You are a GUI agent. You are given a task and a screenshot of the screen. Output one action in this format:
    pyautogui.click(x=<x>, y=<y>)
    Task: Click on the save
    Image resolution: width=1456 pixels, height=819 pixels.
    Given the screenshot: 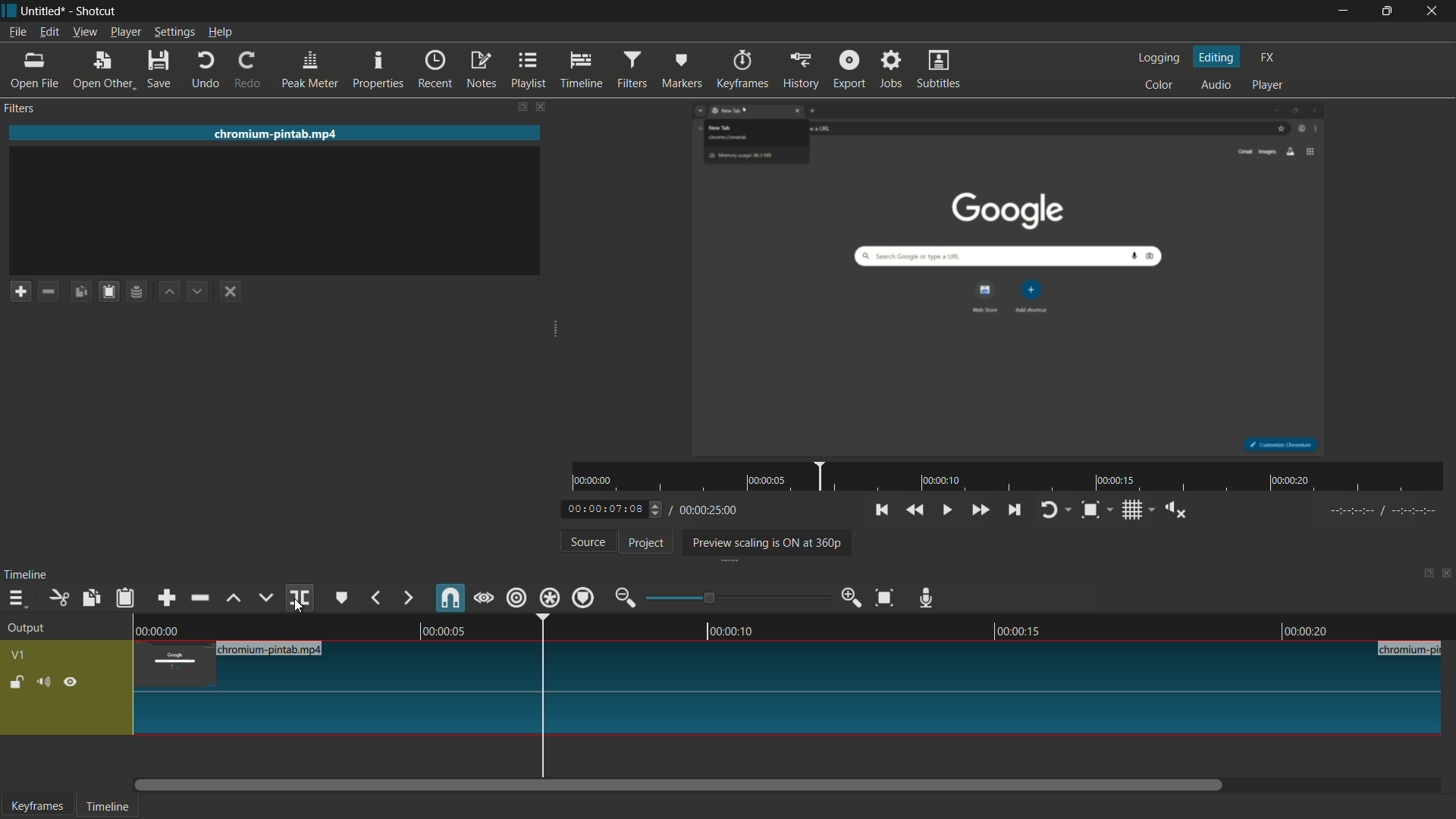 What is the action you would take?
    pyautogui.click(x=160, y=69)
    